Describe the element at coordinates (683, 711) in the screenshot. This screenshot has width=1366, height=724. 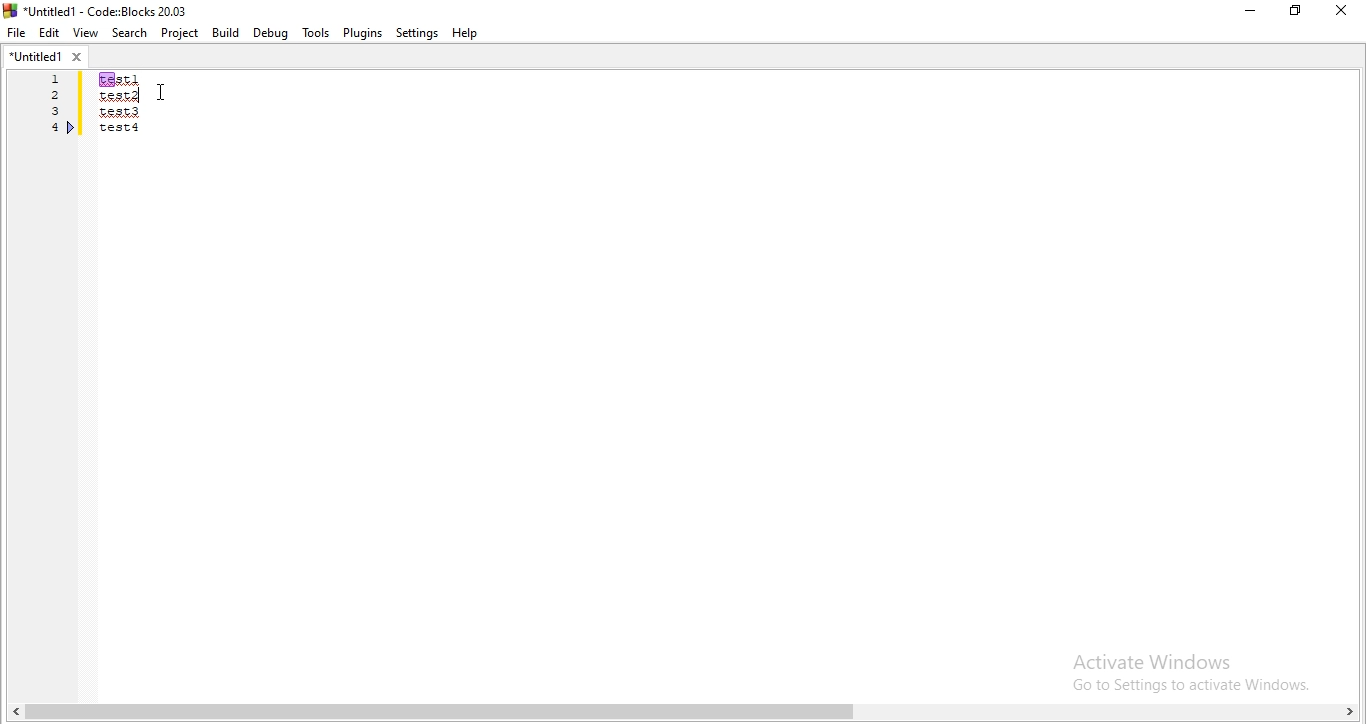
I see `scroll bar` at that location.